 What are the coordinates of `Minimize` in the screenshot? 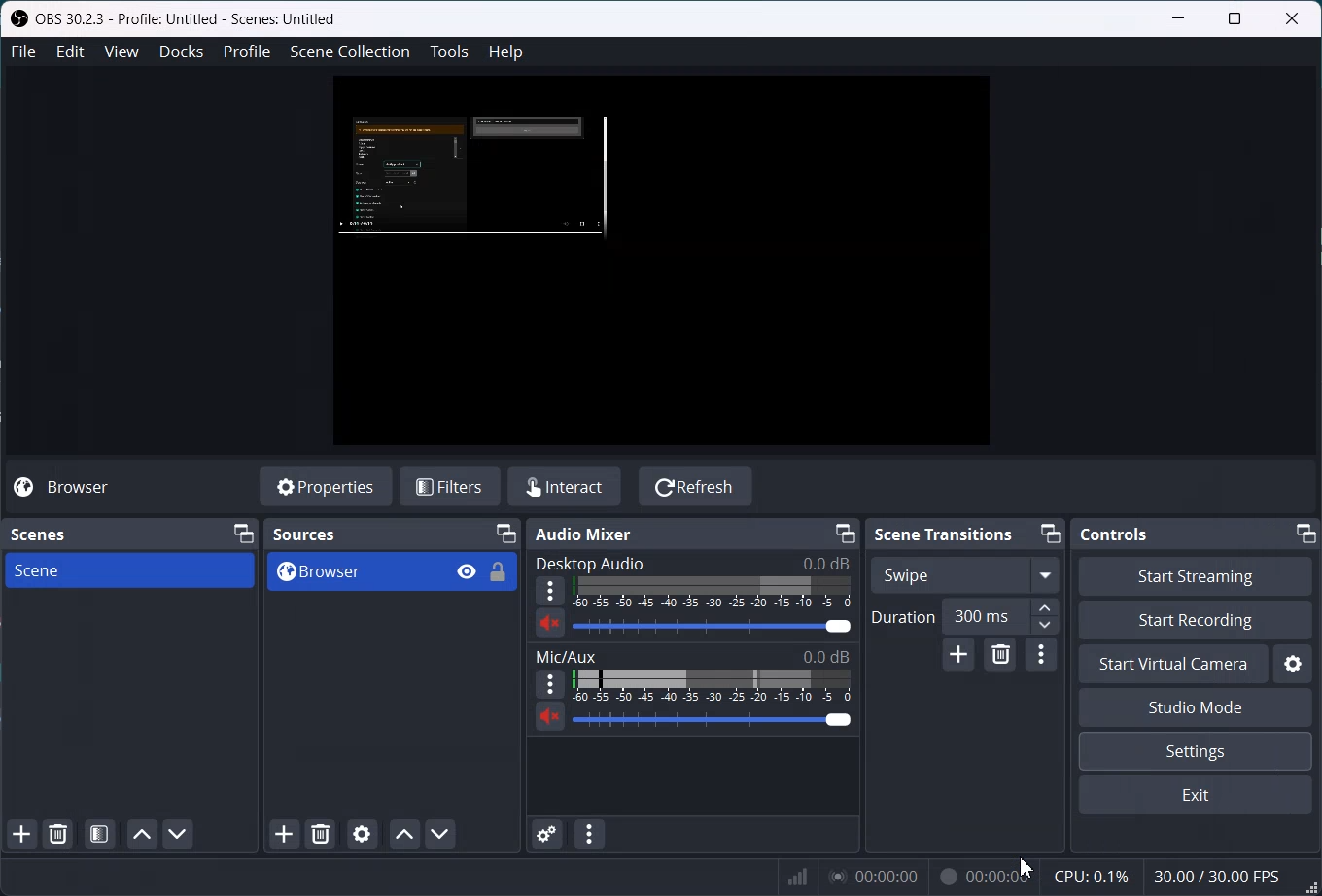 It's located at (1179, 17).